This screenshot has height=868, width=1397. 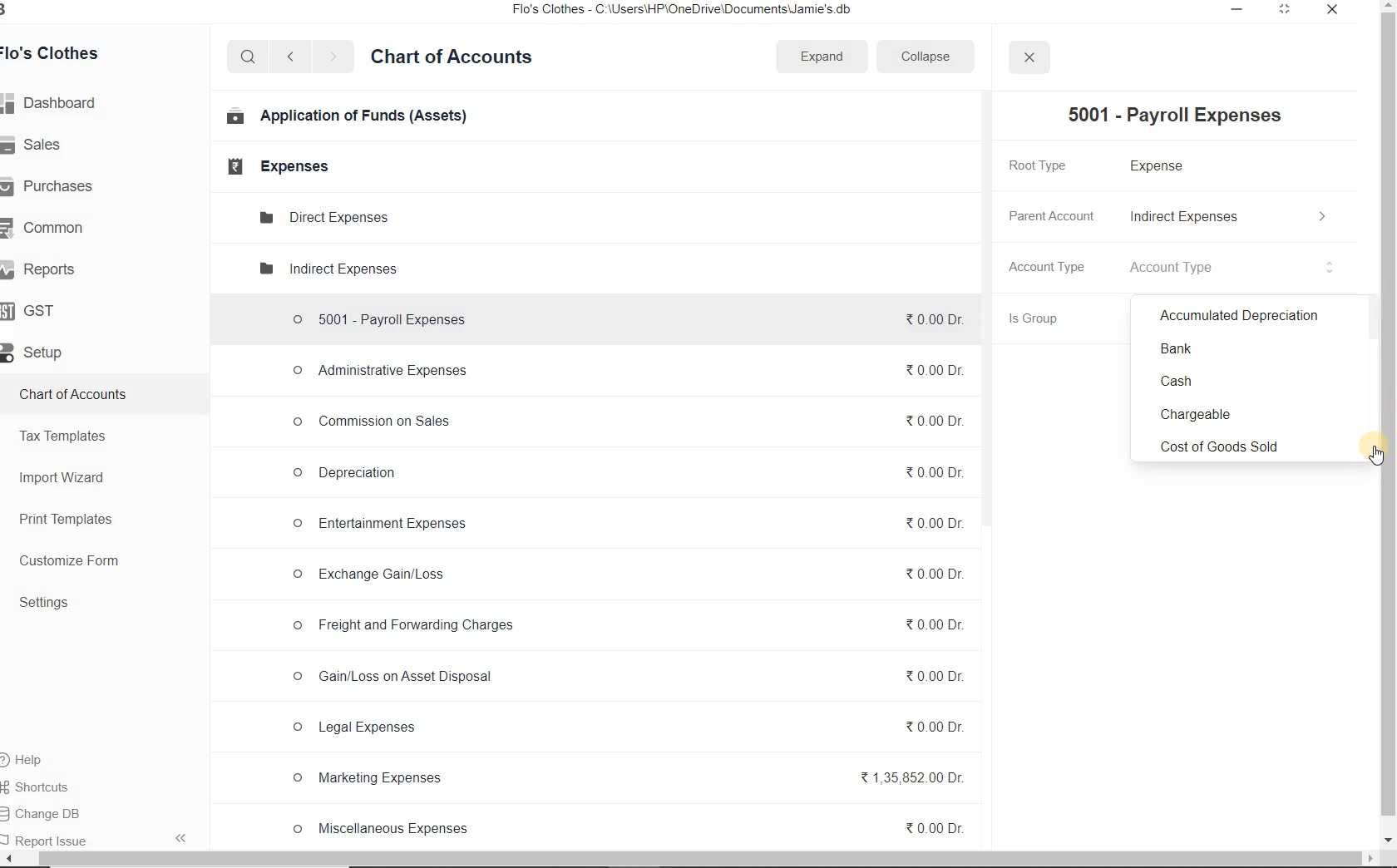 I want to click on set up, so click(x=39, y=353).